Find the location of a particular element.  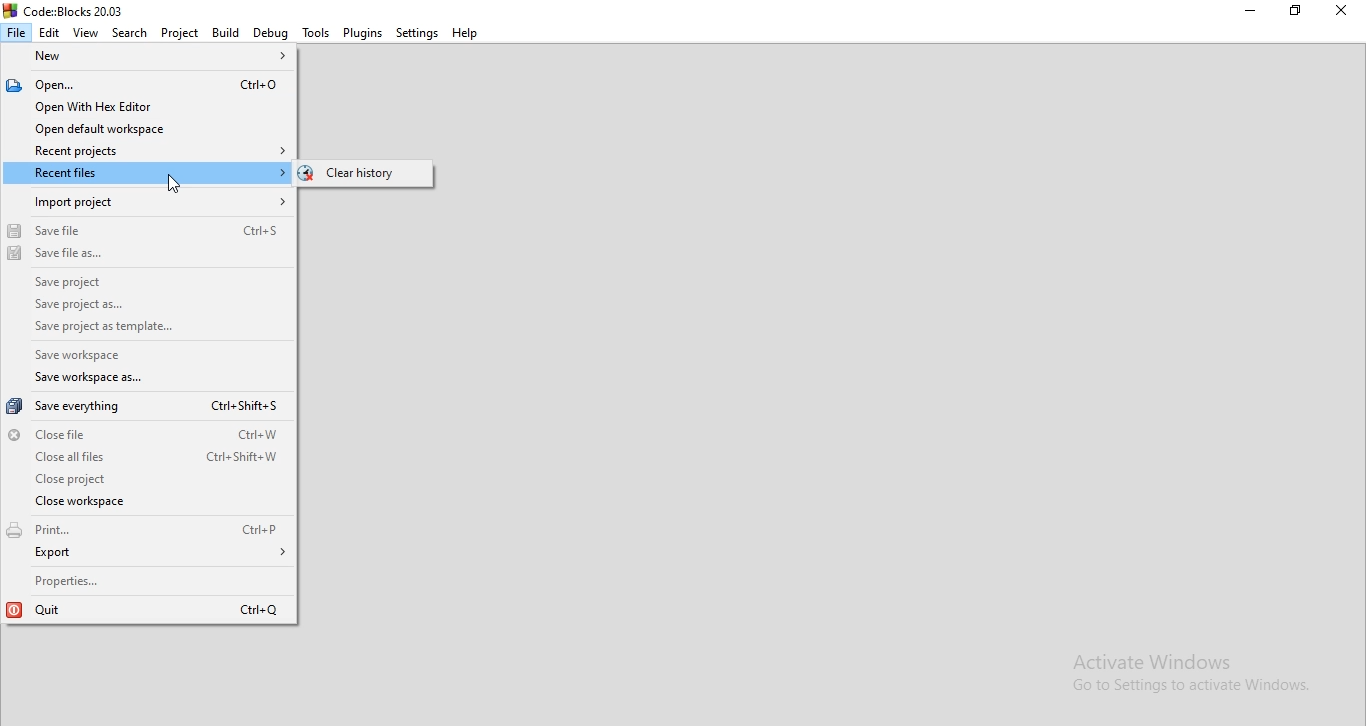

File is located at coordinates (17, 33).